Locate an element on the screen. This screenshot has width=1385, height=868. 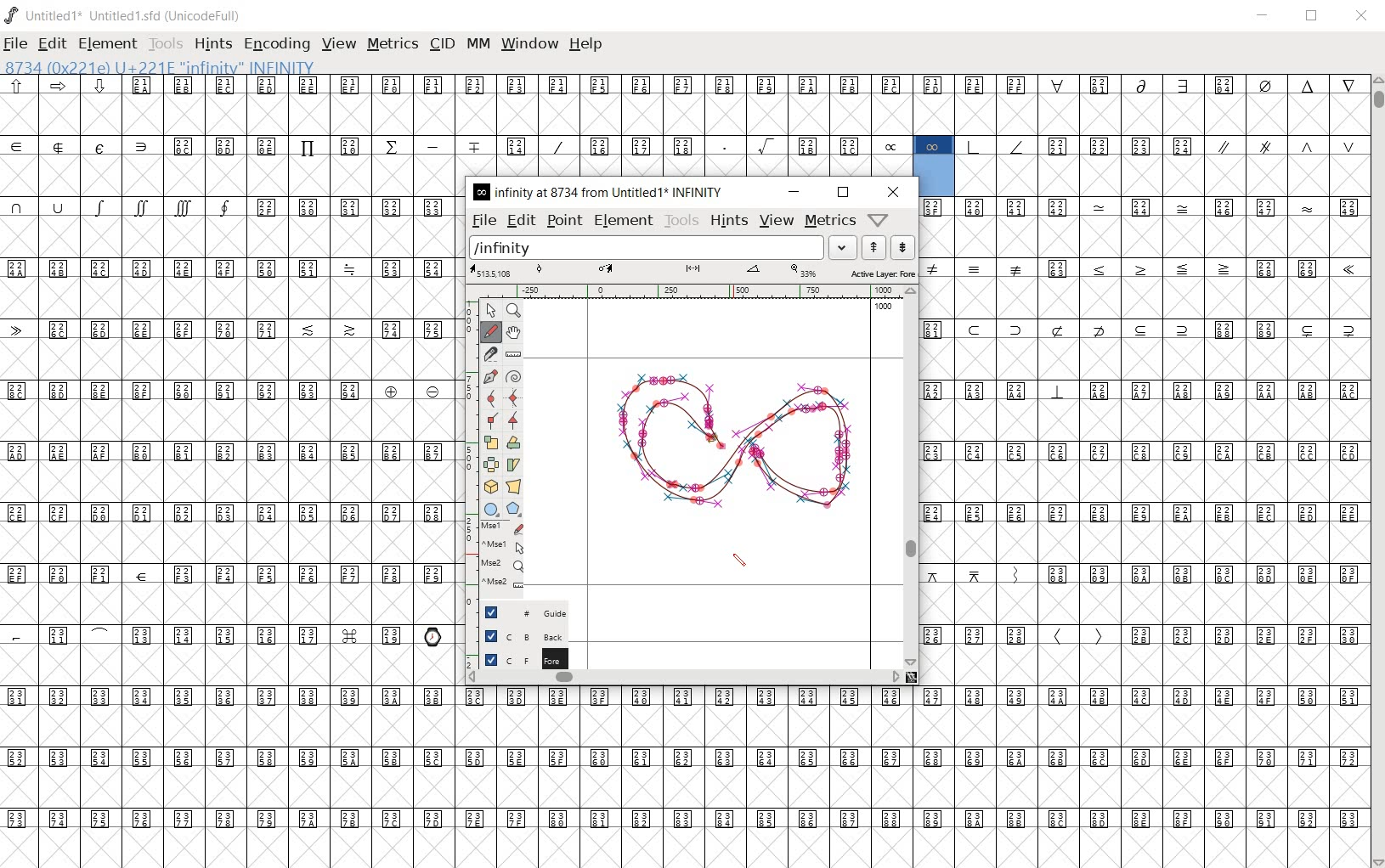
symbol is located at coordinates (1143, 206).